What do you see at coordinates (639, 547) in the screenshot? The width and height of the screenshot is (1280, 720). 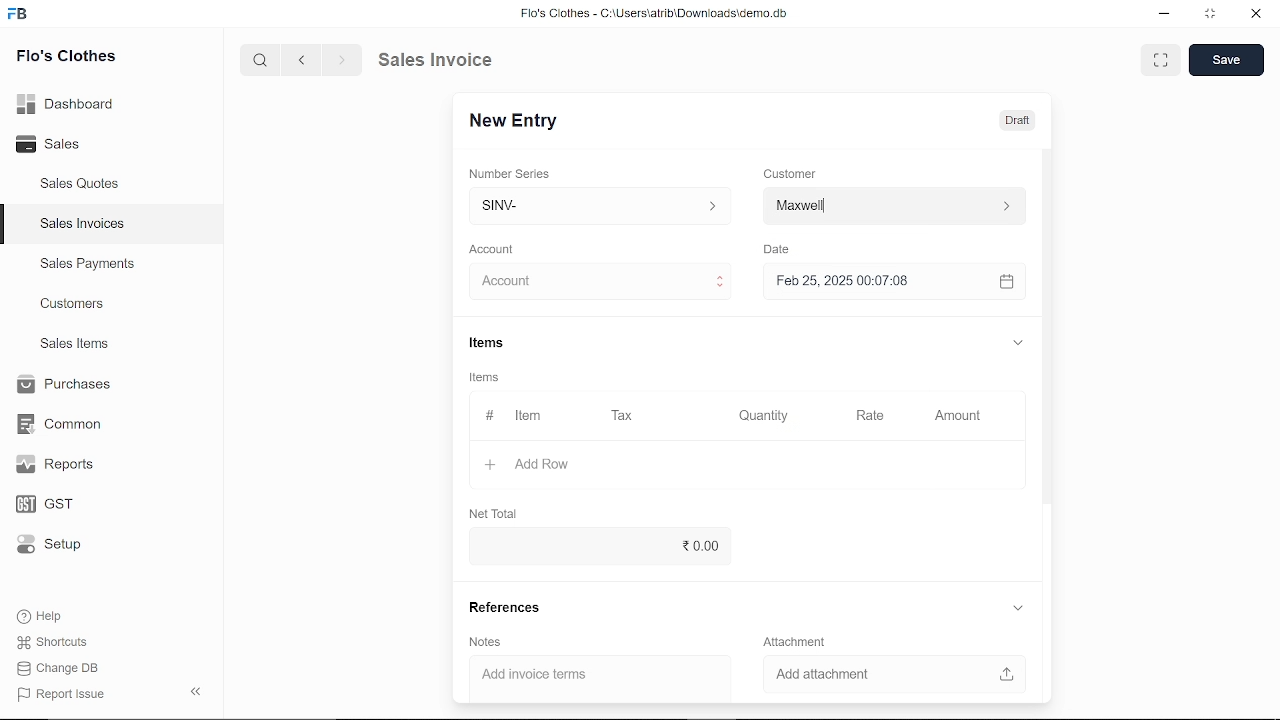 I see `20.00` at bounding box center [639, 547].